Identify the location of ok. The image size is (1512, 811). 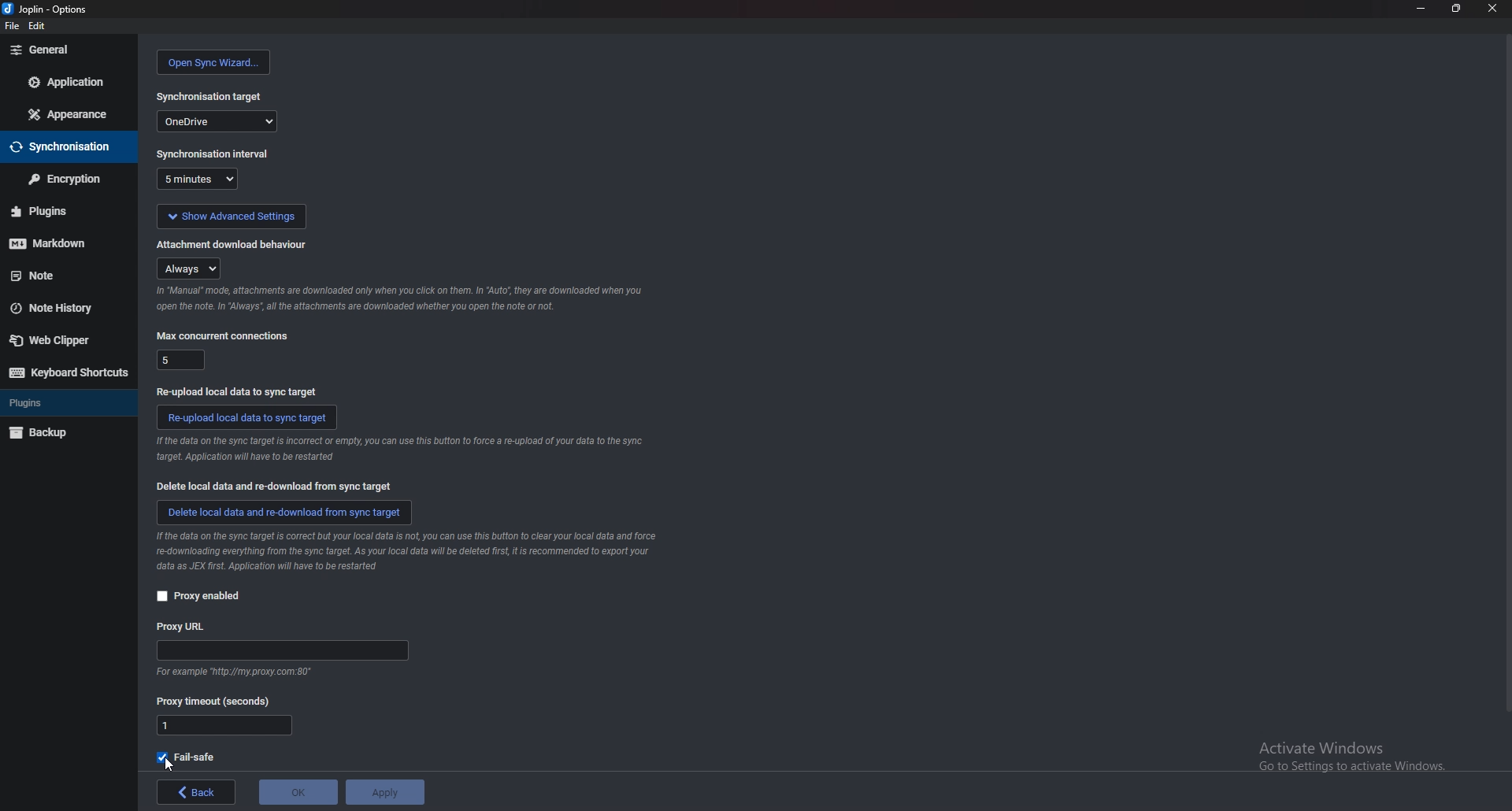
(298, 789).